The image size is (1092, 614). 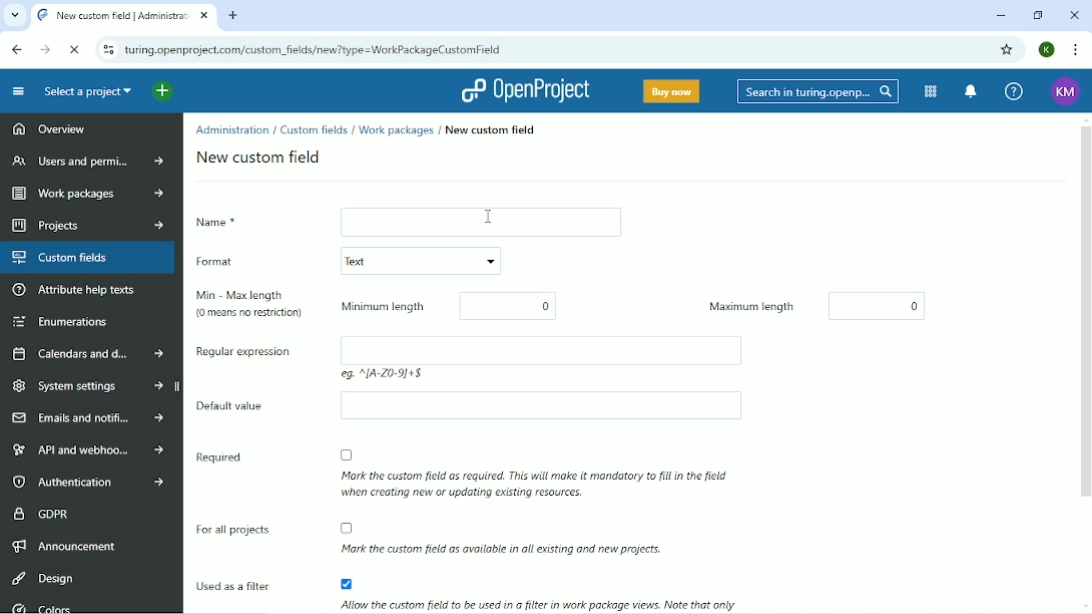 What do you see at coordinates (125, 17) in the screenshot?
I see `New custom field | Administration` at bounding box center [125, 17].